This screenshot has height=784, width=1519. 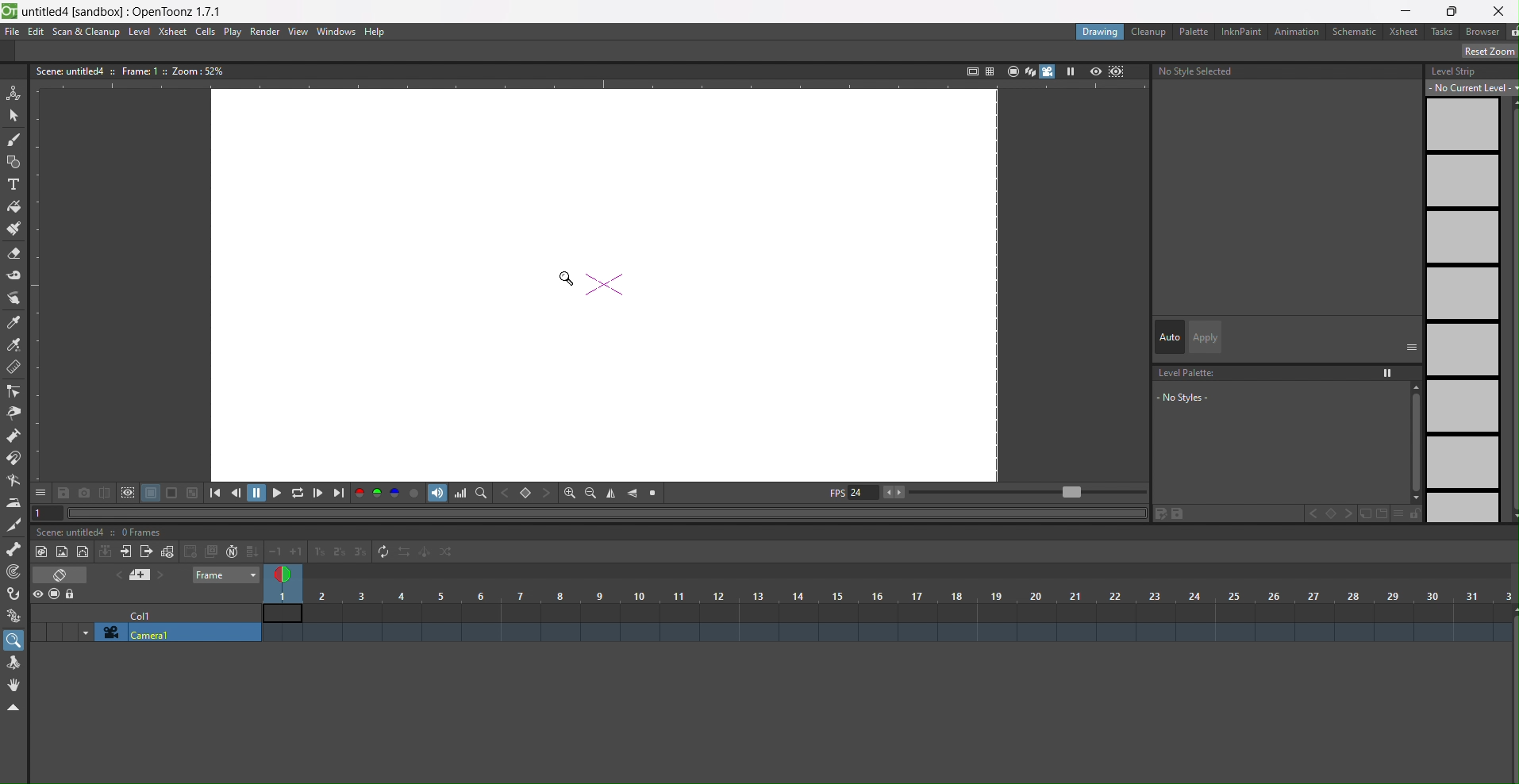 What do you see at coordinates (1484, 33) in the screenshot?
I see `browser` at bounding box center [1484, 33].